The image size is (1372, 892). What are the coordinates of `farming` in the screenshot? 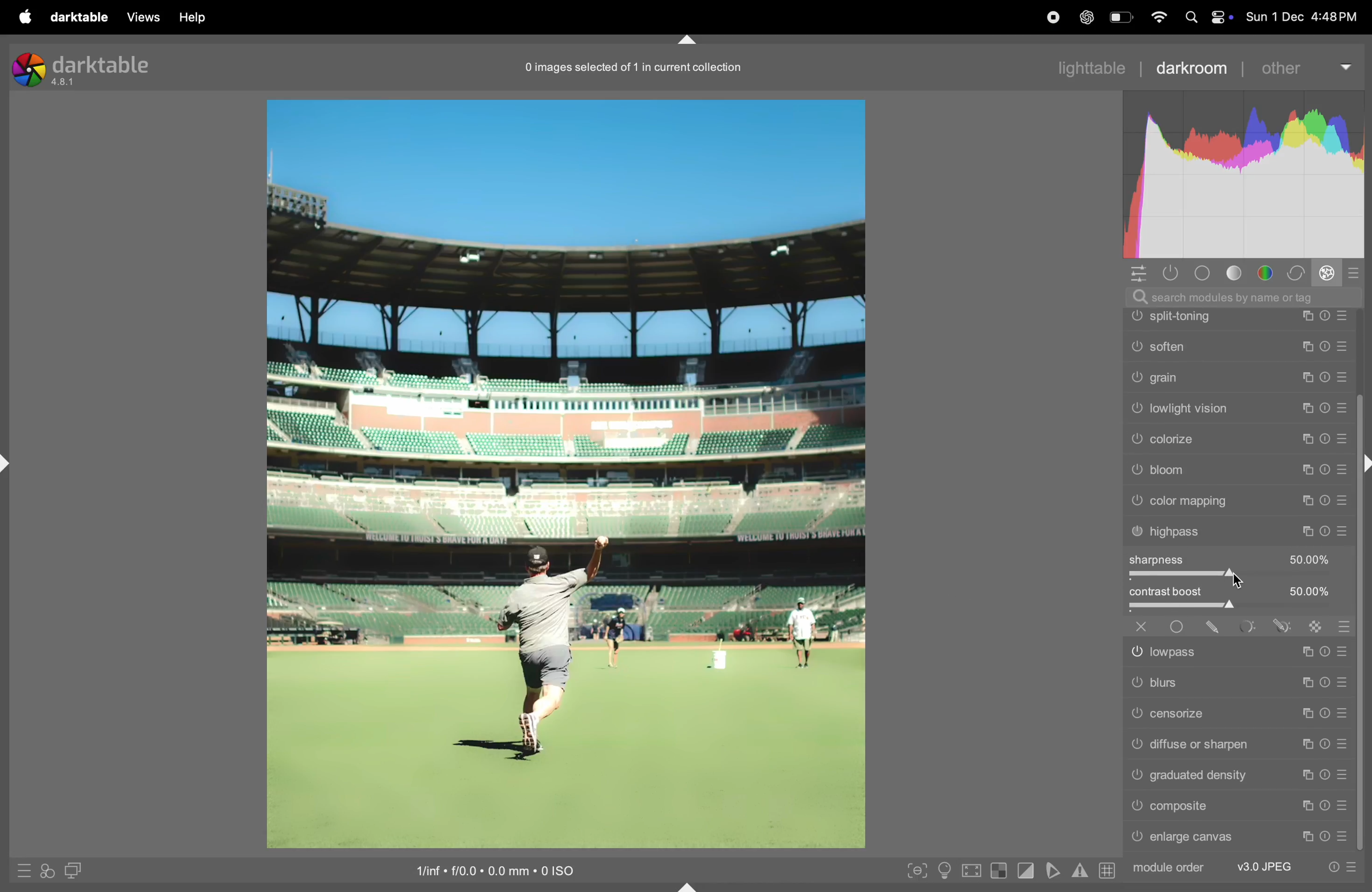 It's located at (1238, 346).